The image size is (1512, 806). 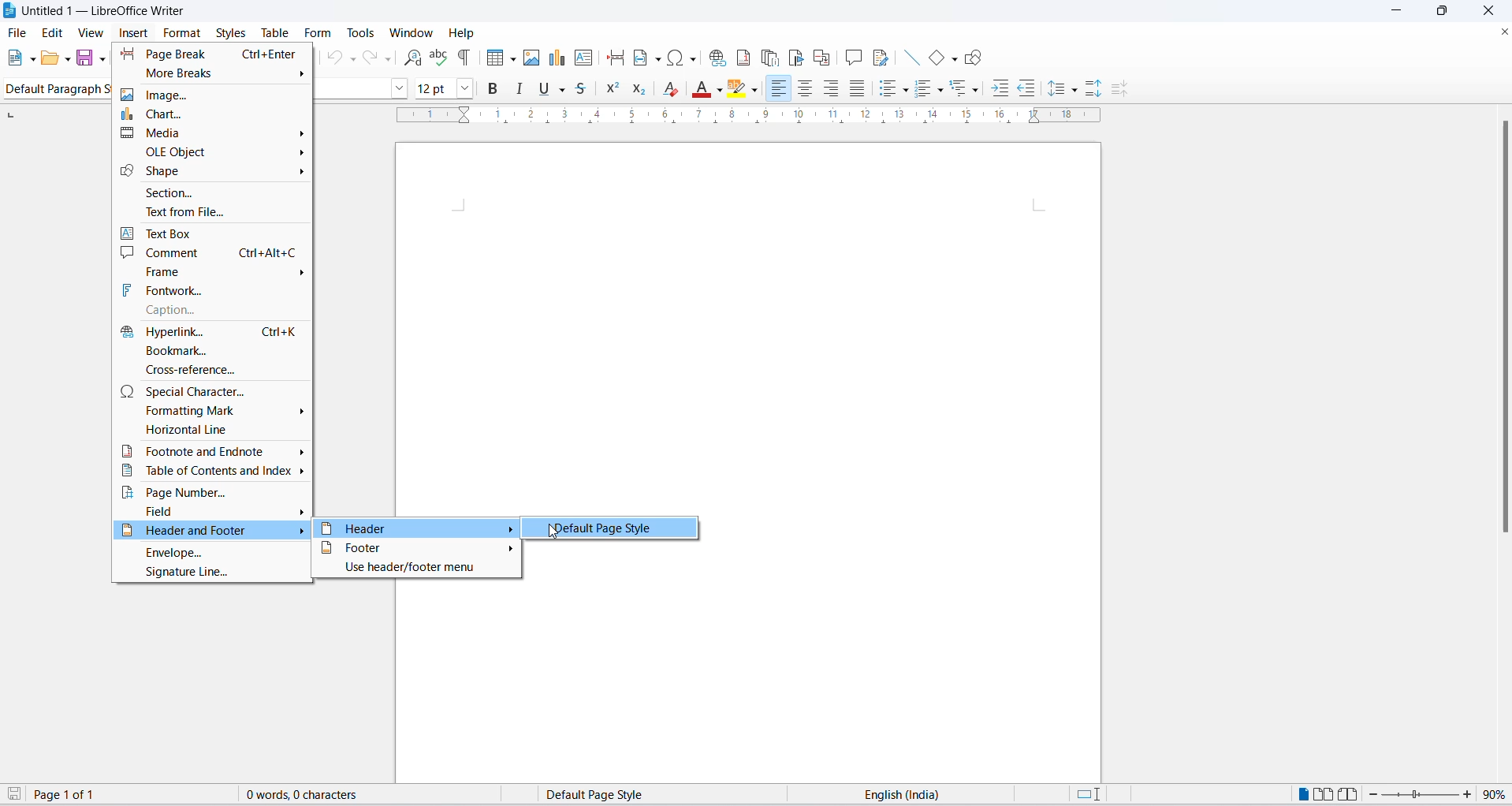 What do you see at coordinates (904, 794) in the screenshot?
I see `text language` at bounding box center [904, 794].